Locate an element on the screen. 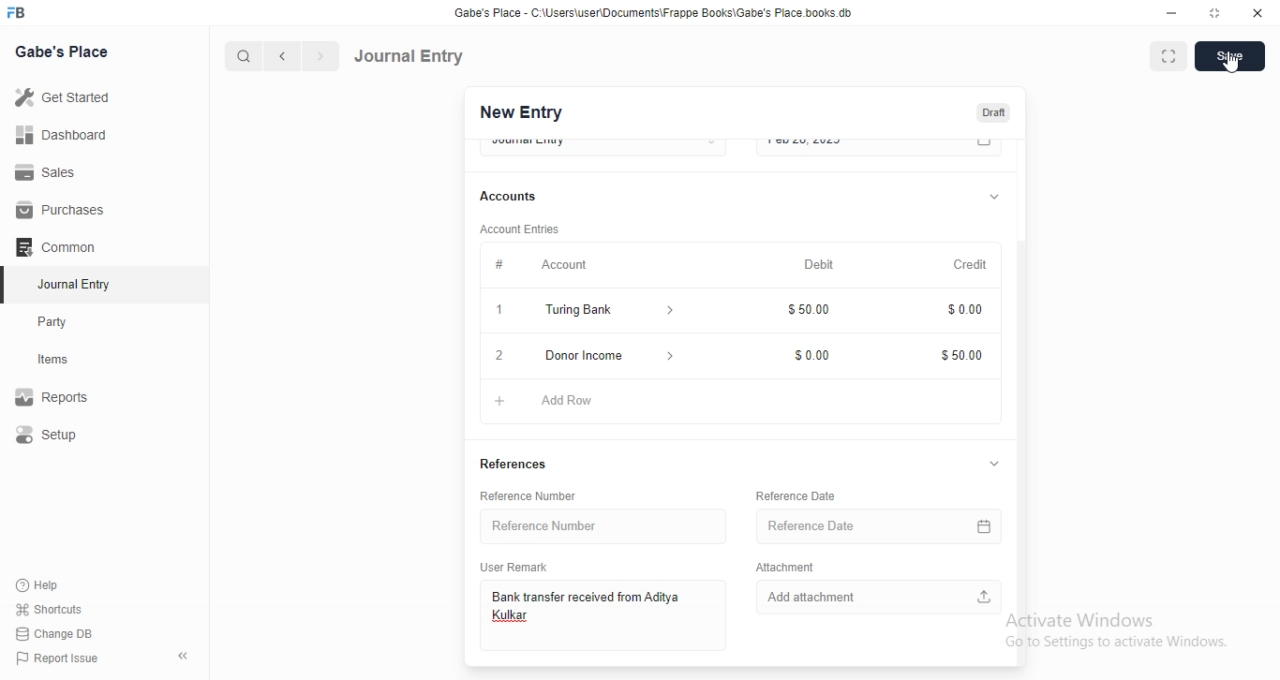 This screenshot has height=680, width=1280. Add attachment is located at coordinates (880, 595).